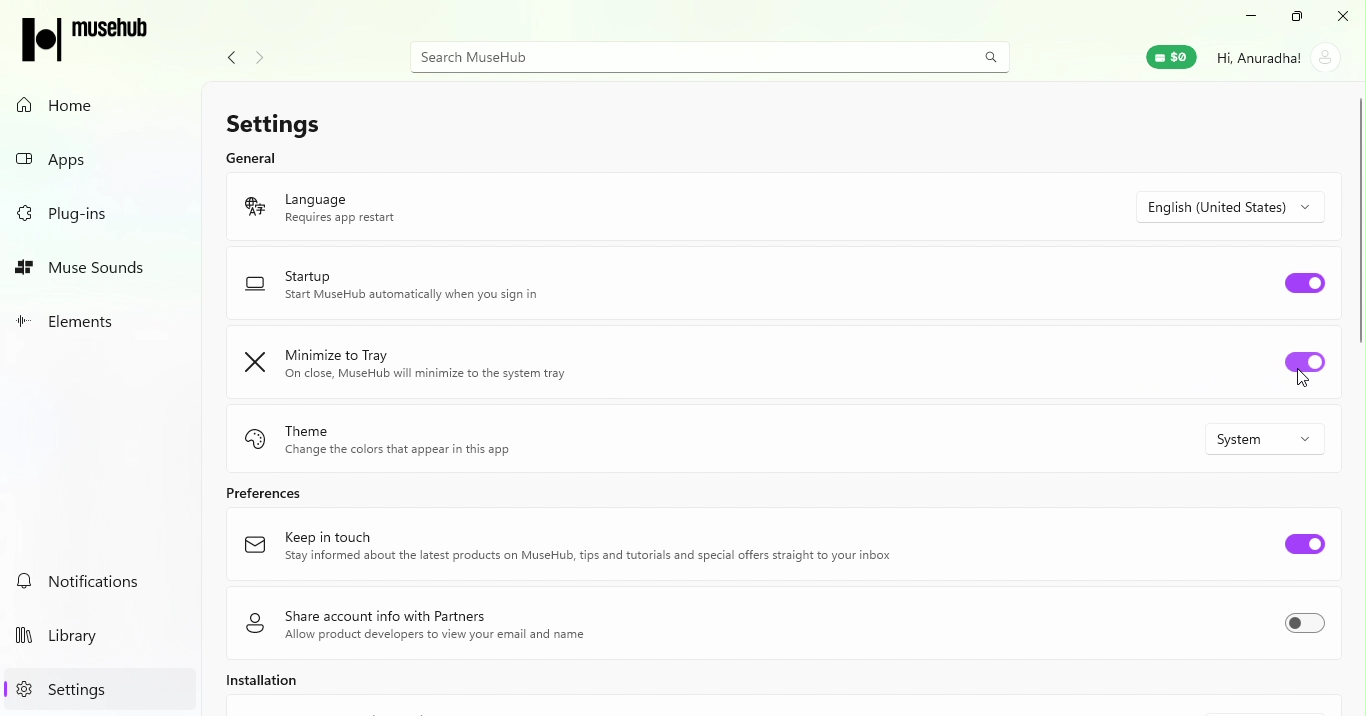 The image size is (1366, 716). Describe the element at coordinates (416, 439) in the screenshot. I see `Theme` at that location.